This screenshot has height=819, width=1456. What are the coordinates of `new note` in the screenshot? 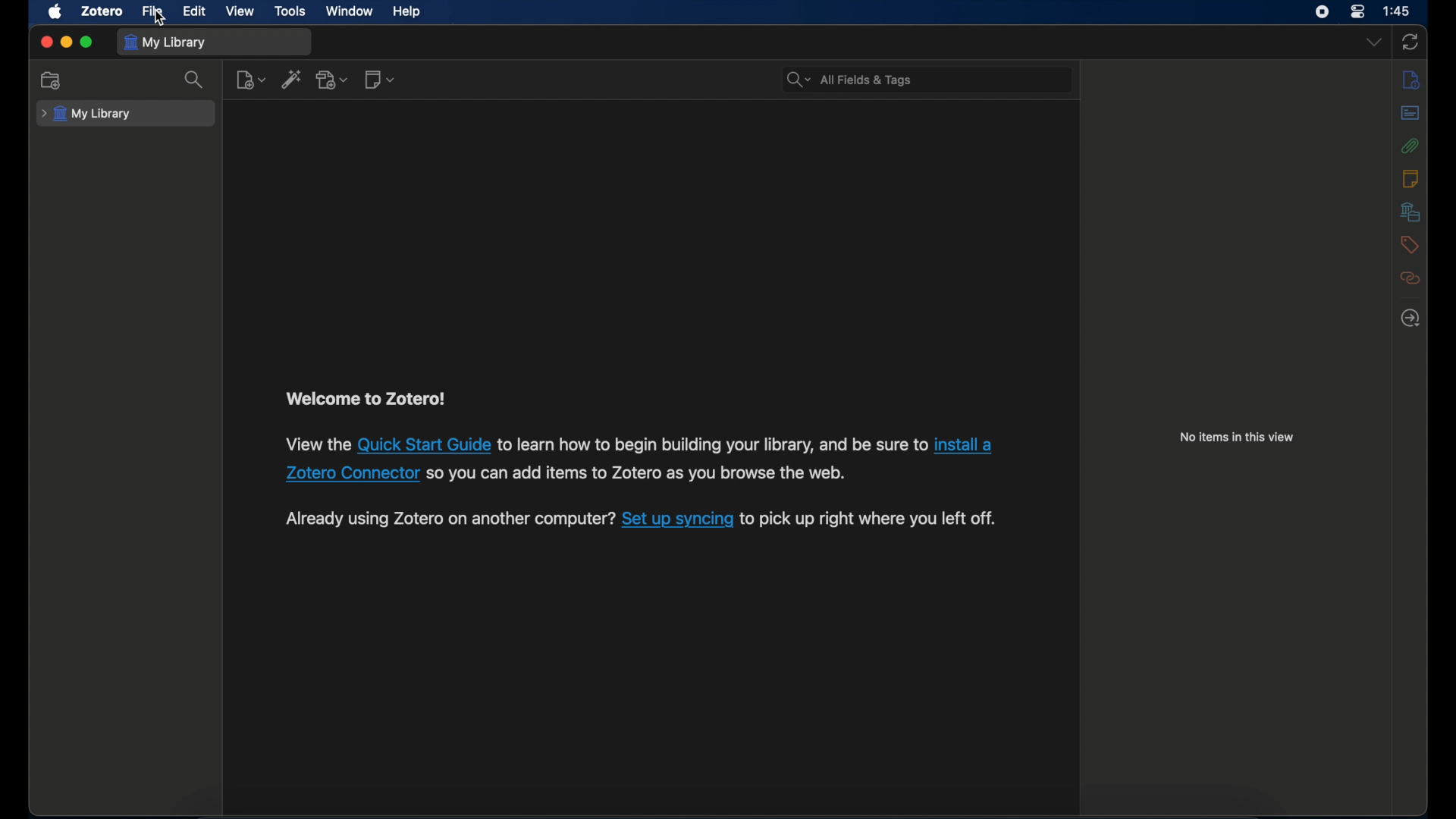 It's located at (381, 79).